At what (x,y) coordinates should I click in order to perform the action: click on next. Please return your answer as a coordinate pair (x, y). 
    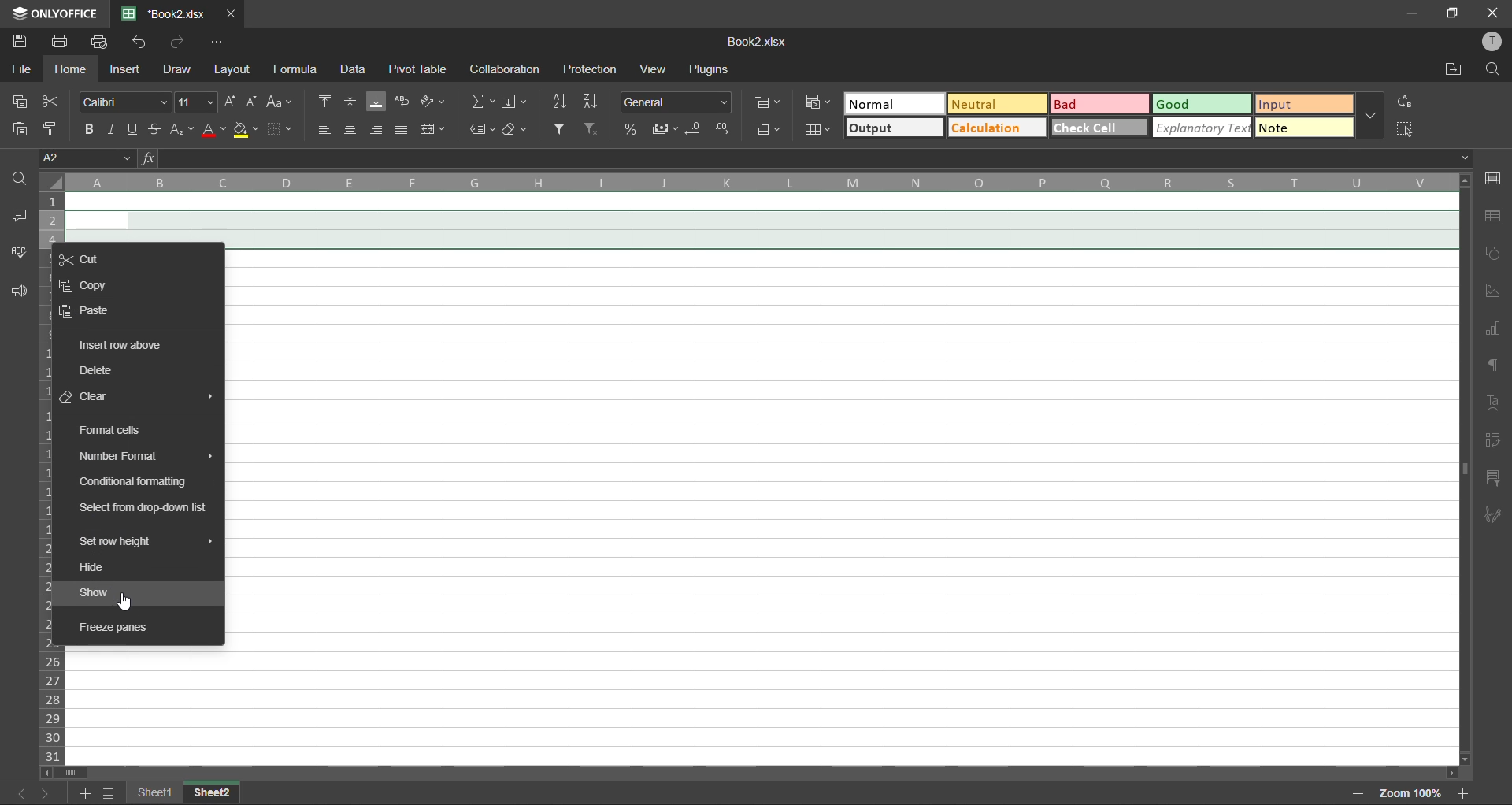
    Looking at the image, I should click on (46, 795).